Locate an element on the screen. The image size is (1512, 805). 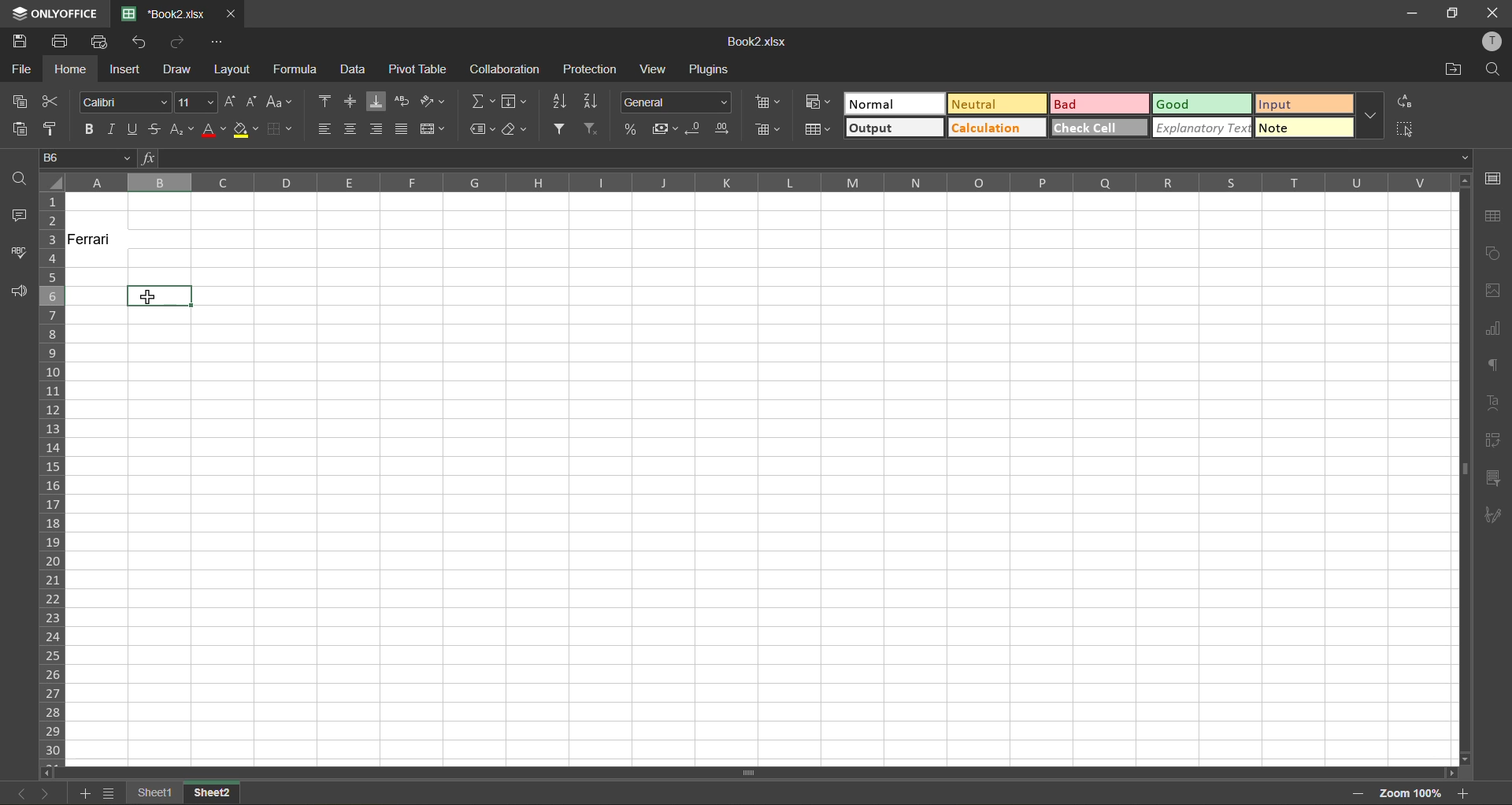
next is located at coordinates (46, 793).